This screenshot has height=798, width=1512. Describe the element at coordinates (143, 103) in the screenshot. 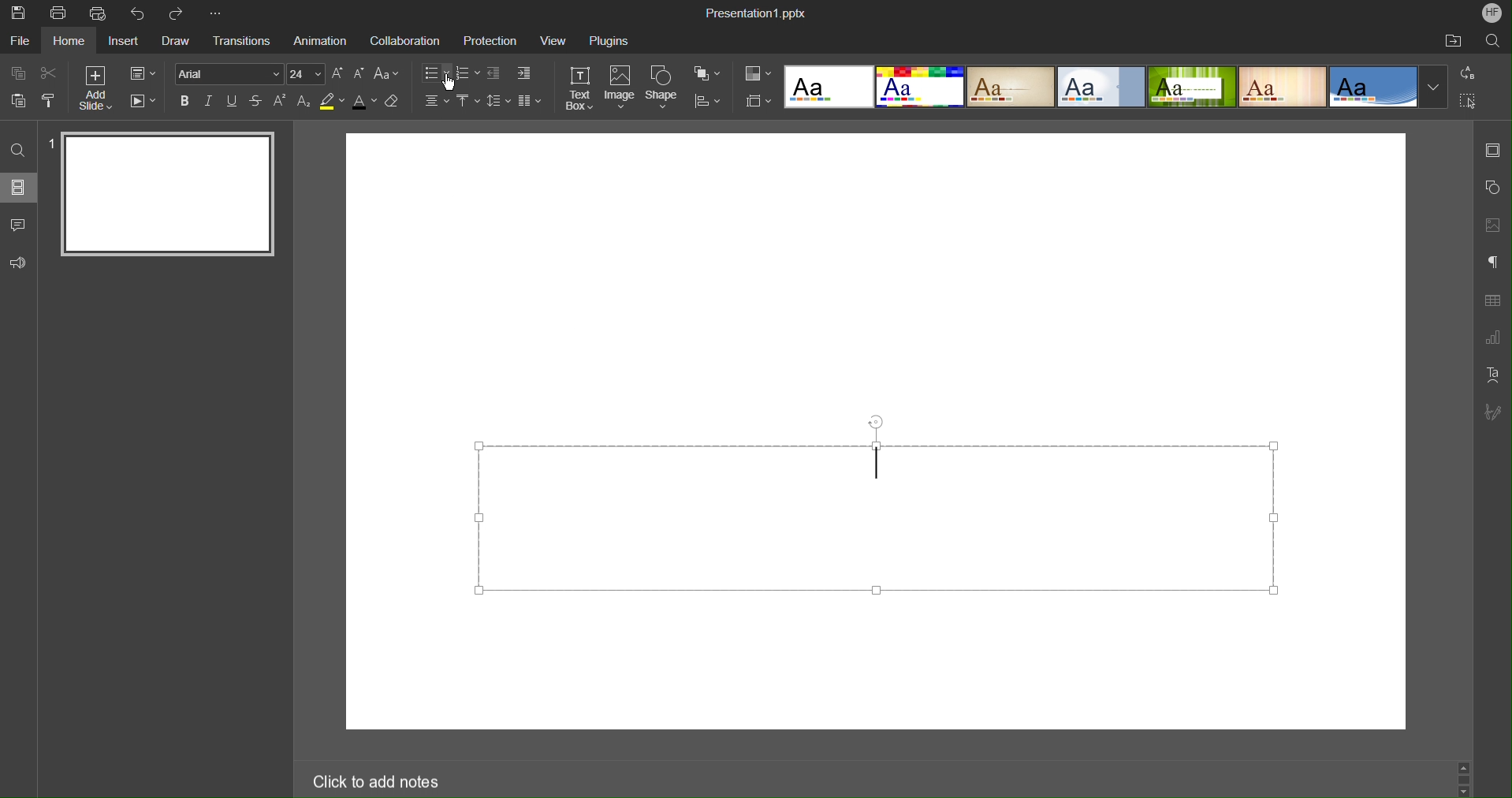

I see `Playback` at that location.